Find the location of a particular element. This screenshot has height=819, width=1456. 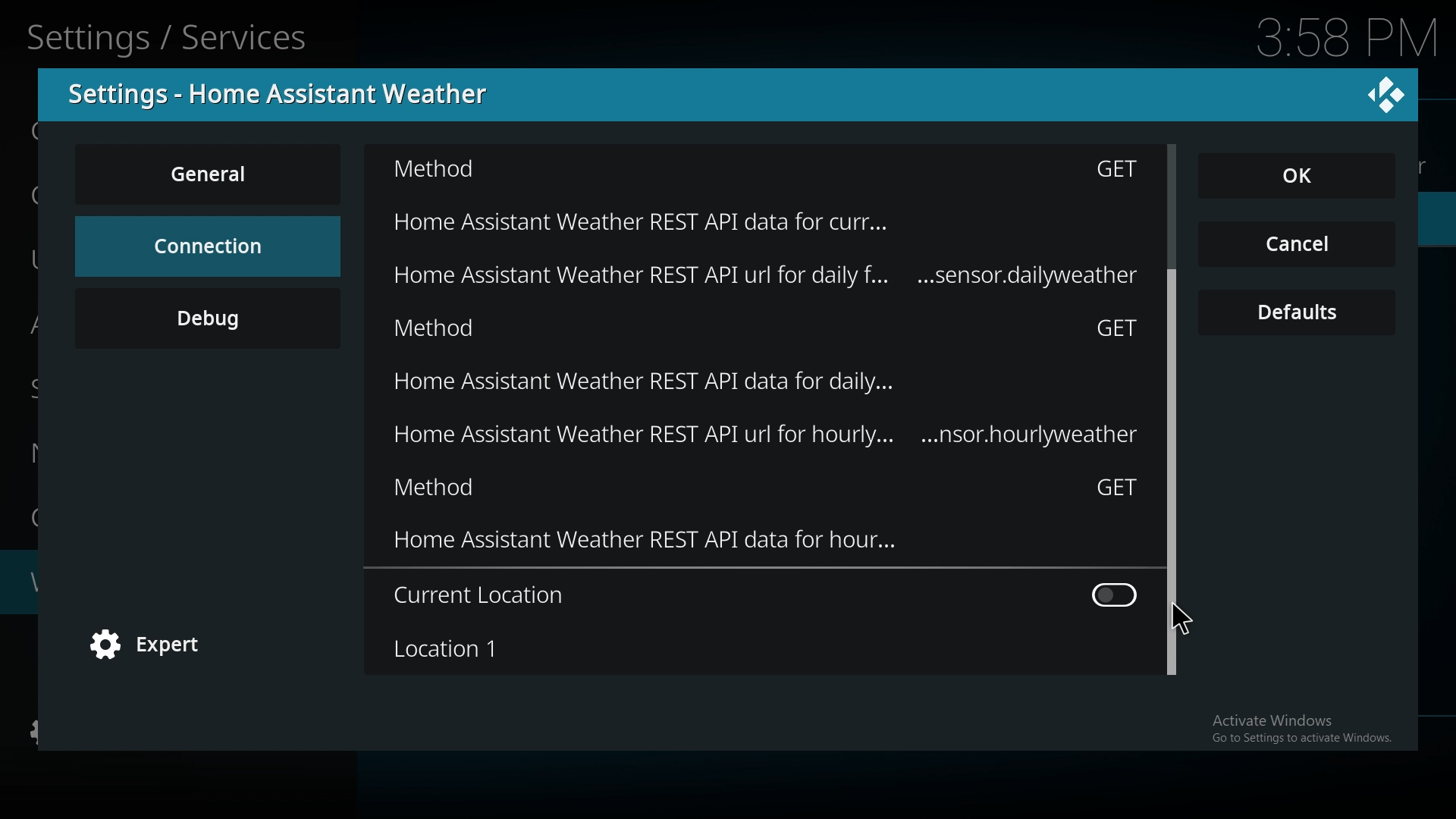

general is located at coordinates (211, 174).